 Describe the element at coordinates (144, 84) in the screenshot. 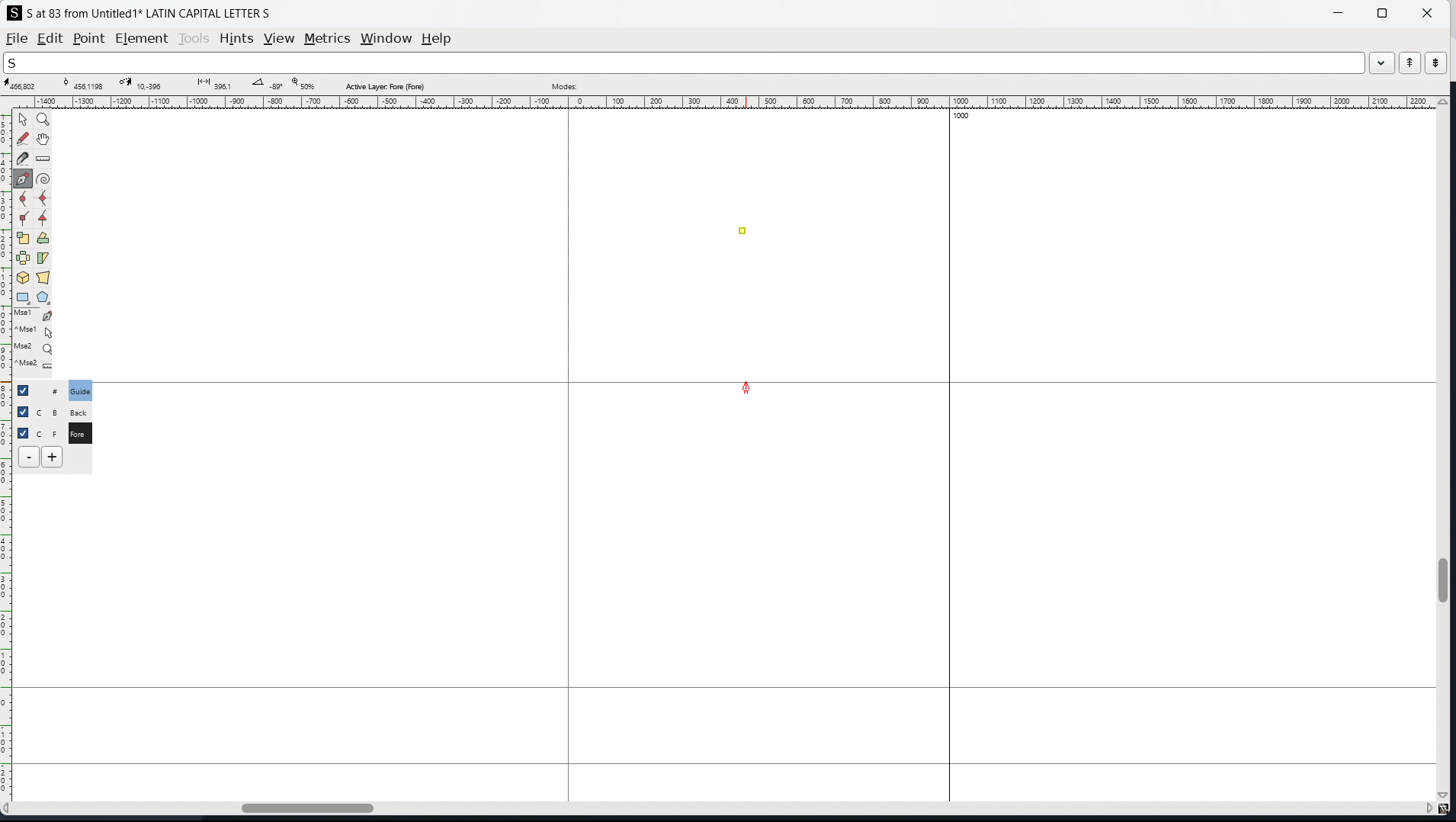

I see `cursor destination coordinate` at that location.